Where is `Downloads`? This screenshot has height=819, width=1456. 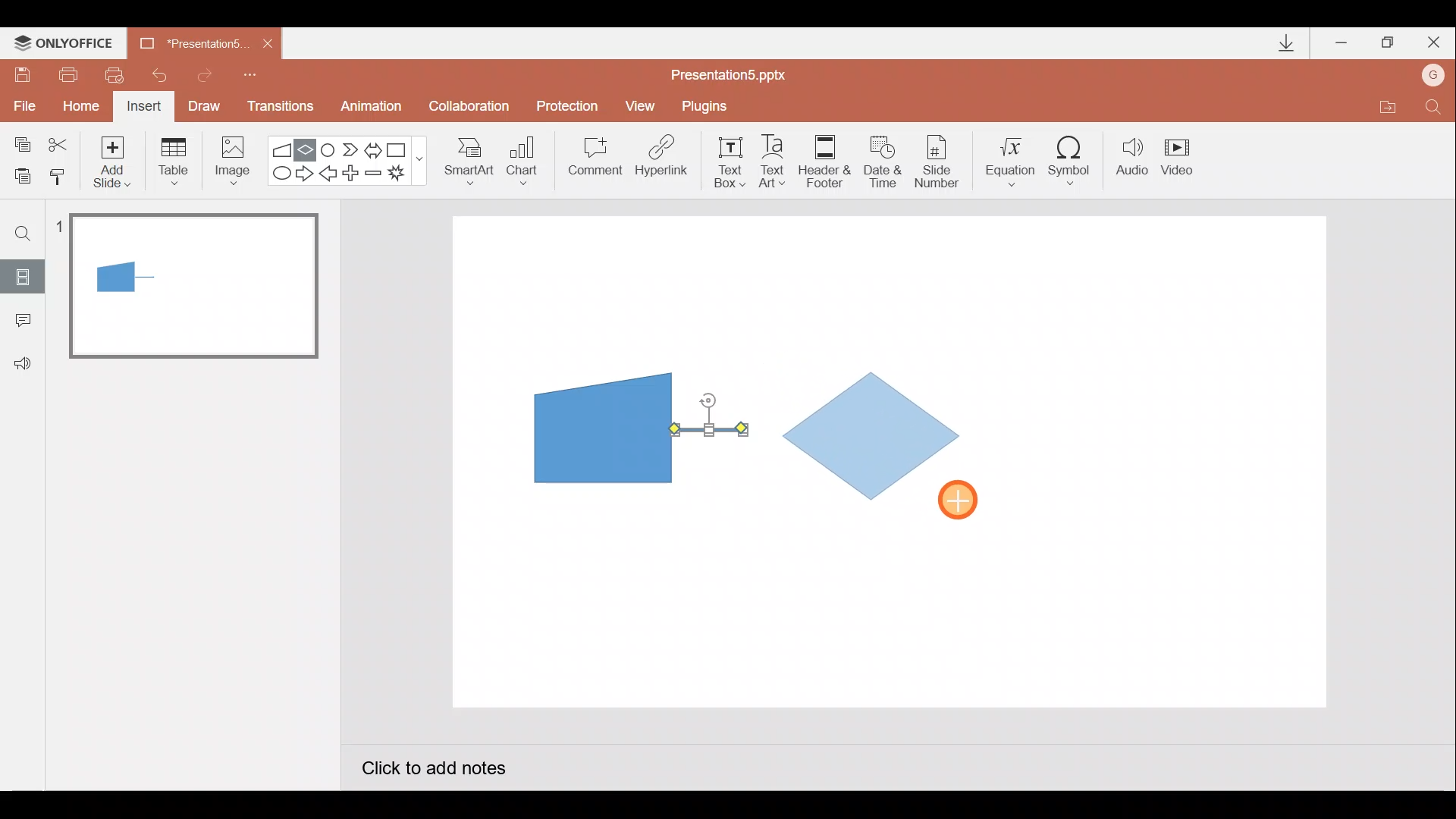
Downloads is located at coordinates (1284, 44).